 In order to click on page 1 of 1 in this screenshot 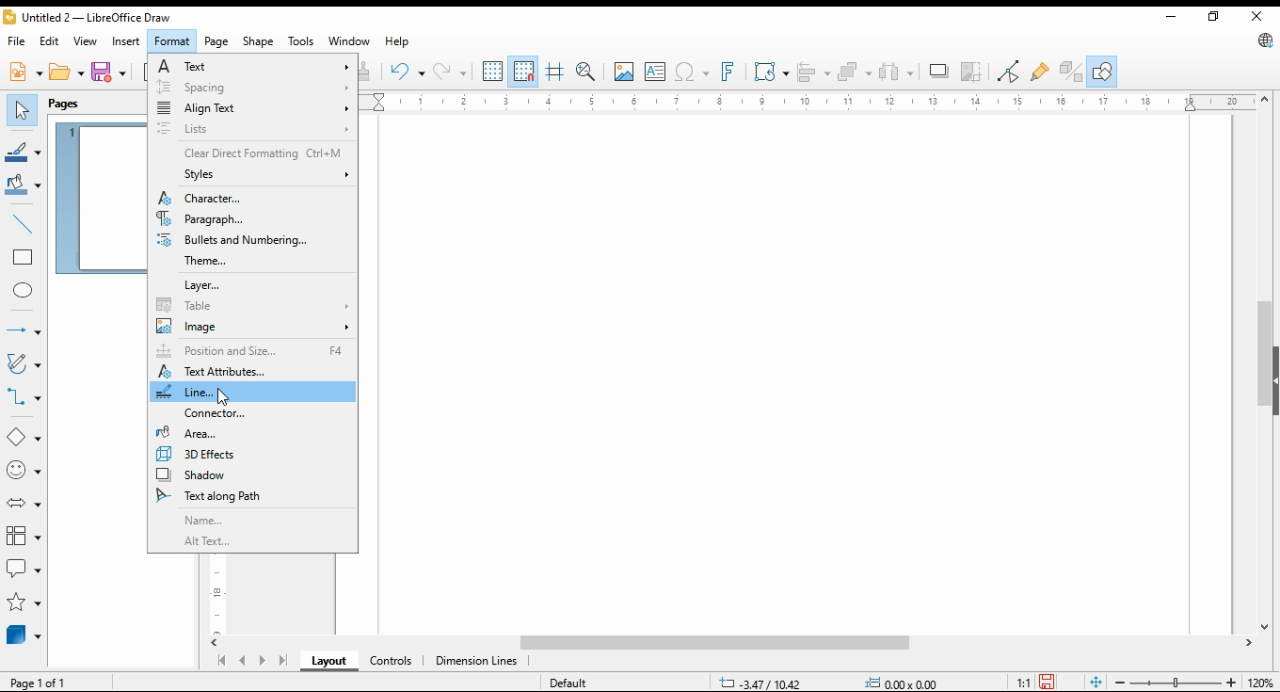, I will do `click(40, 682)`.